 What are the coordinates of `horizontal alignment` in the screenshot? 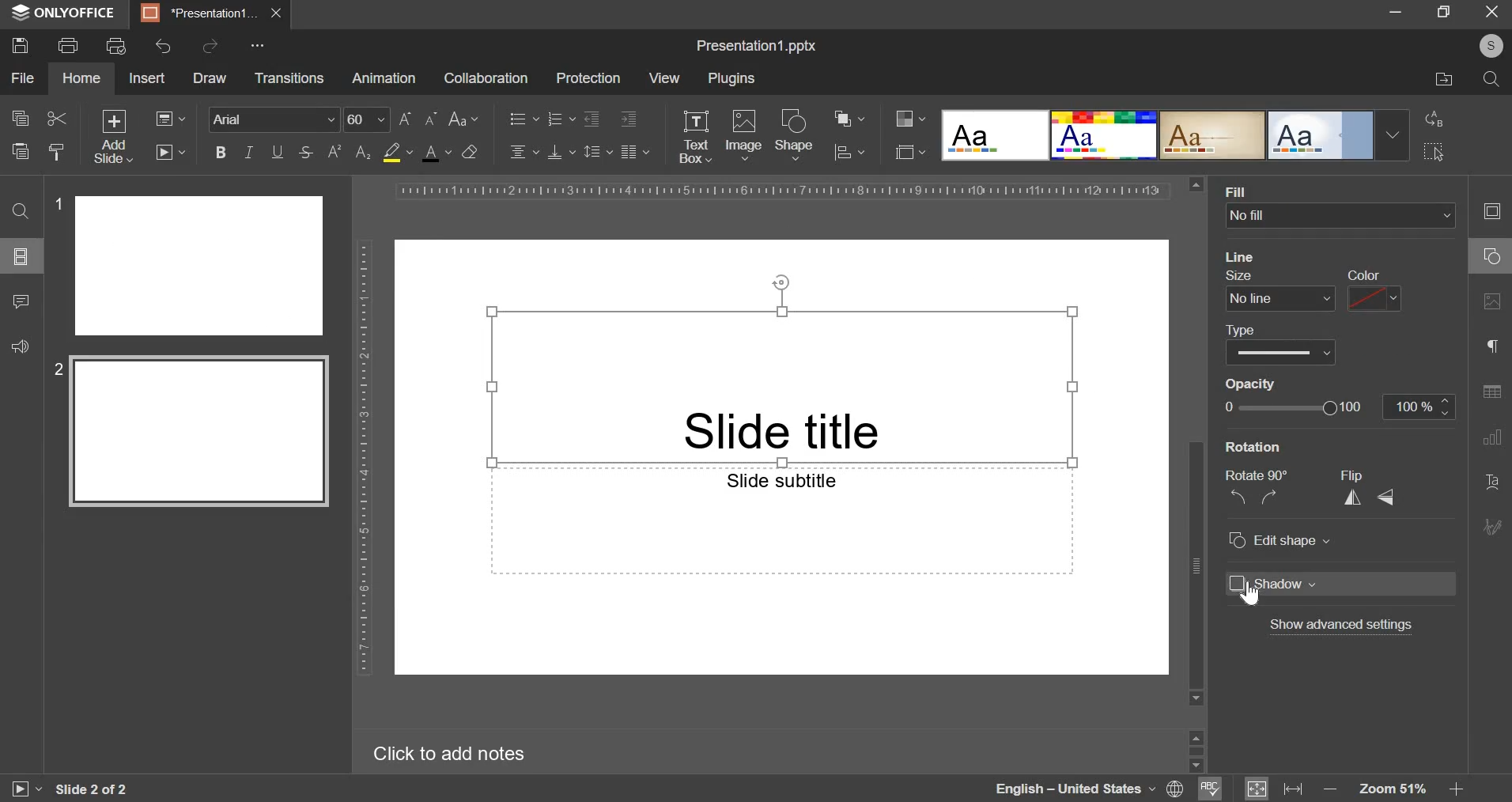 It's located at (524, 149).